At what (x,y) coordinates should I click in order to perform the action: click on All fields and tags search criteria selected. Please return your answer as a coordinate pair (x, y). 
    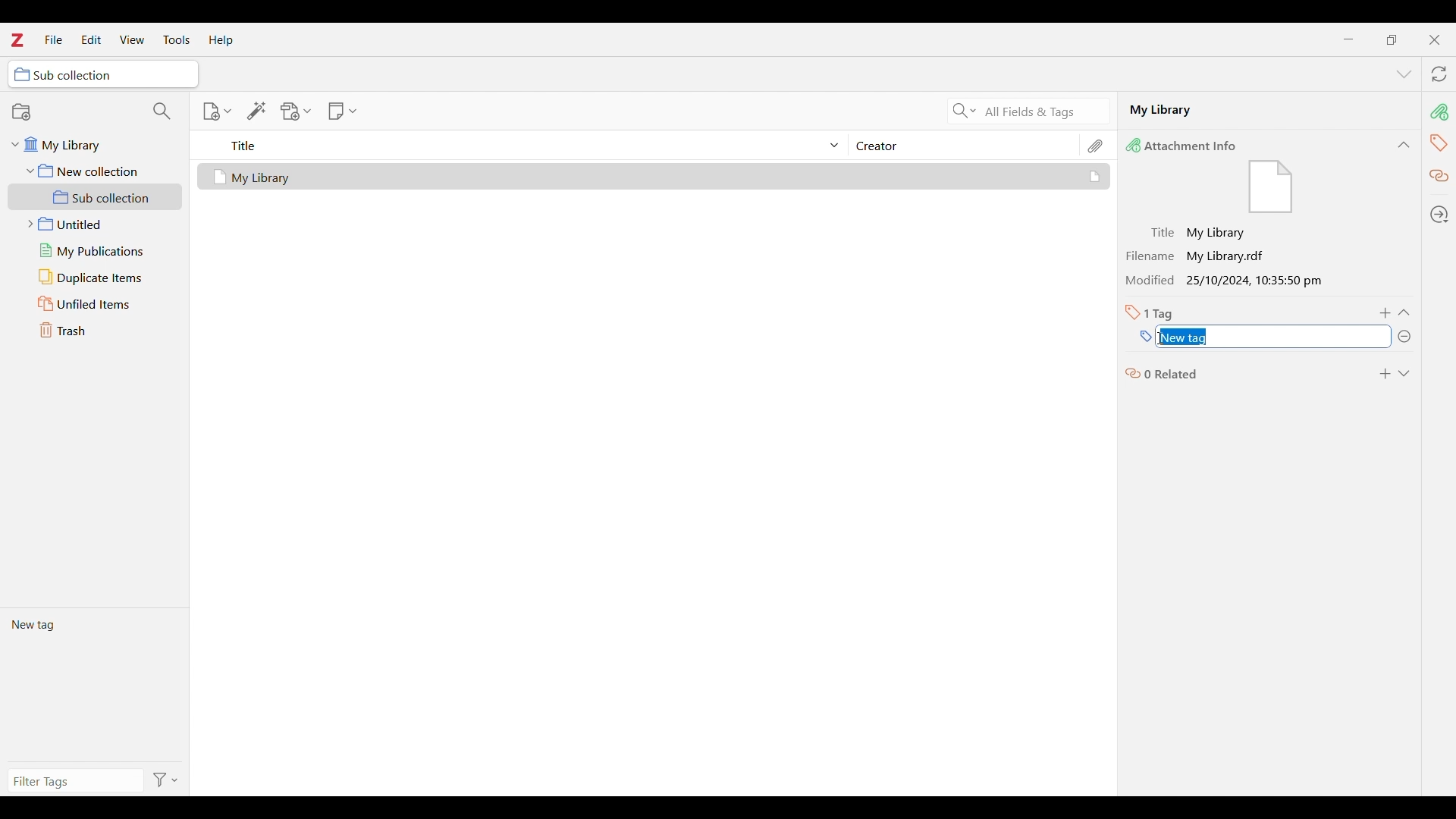
    Looking at the image, I should click on (1043, 112).